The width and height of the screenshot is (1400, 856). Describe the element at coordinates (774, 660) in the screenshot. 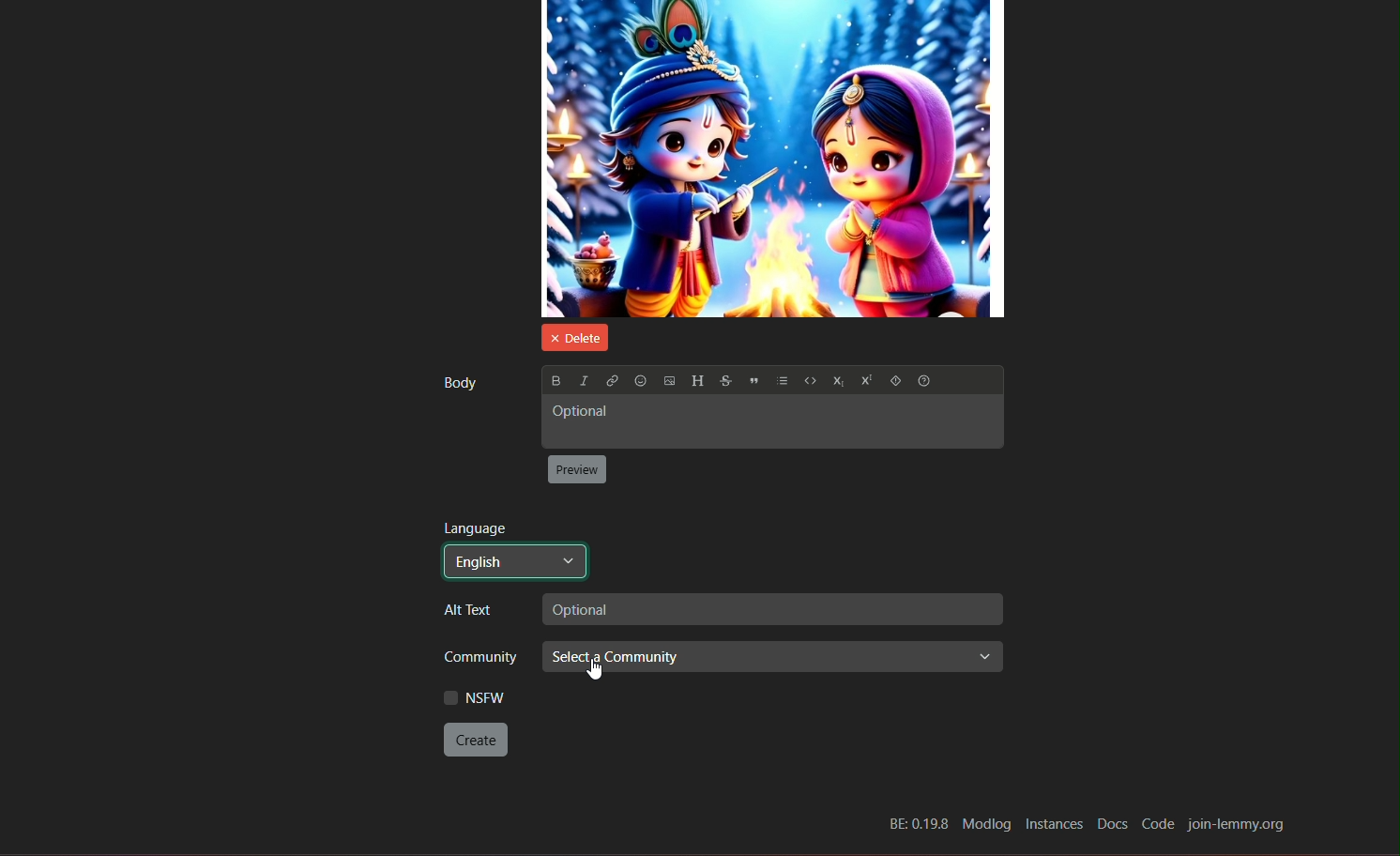

I see `Select a community` at that location.